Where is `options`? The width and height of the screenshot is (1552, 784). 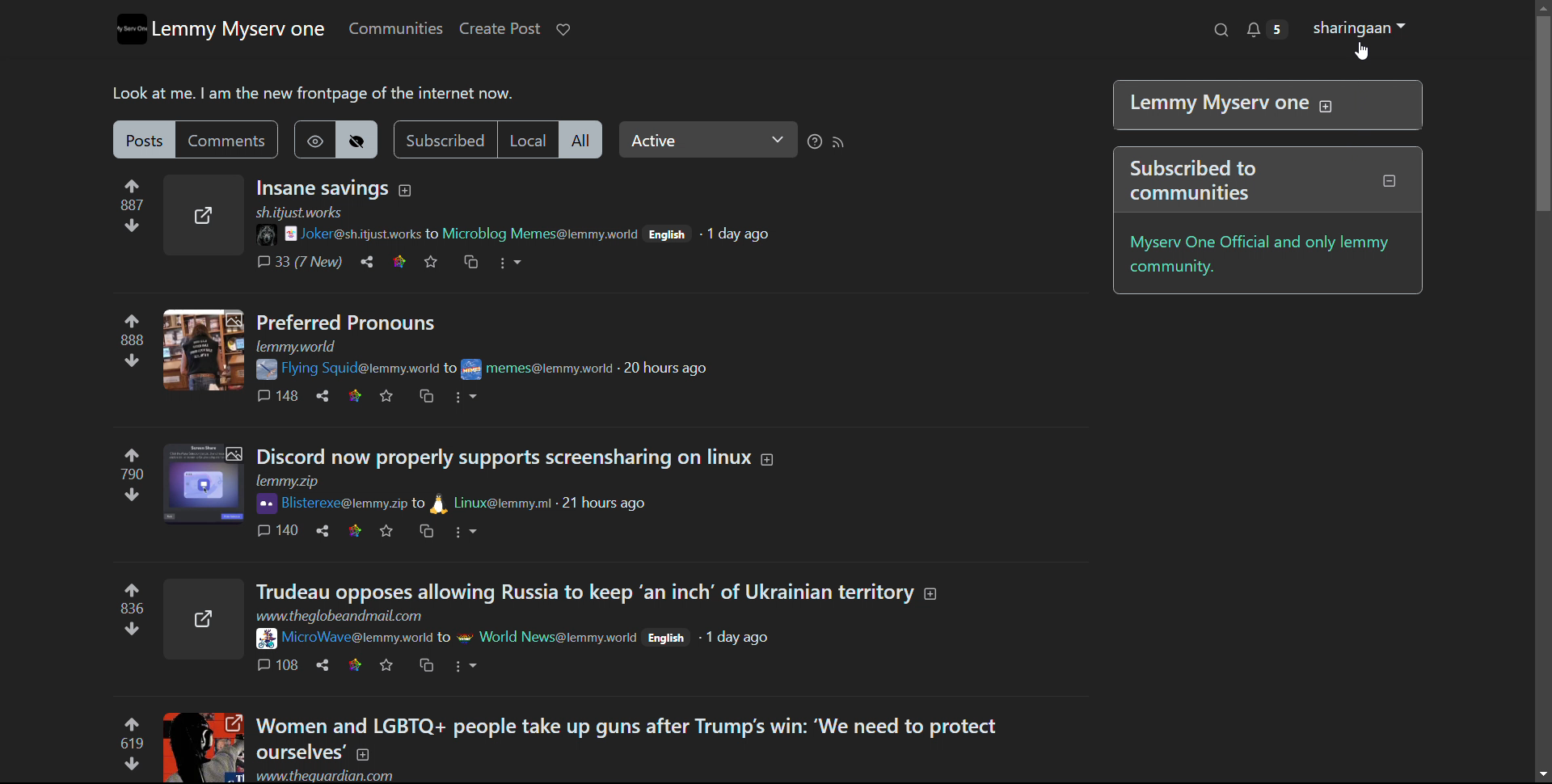
options is located at coordinates (509, 263).